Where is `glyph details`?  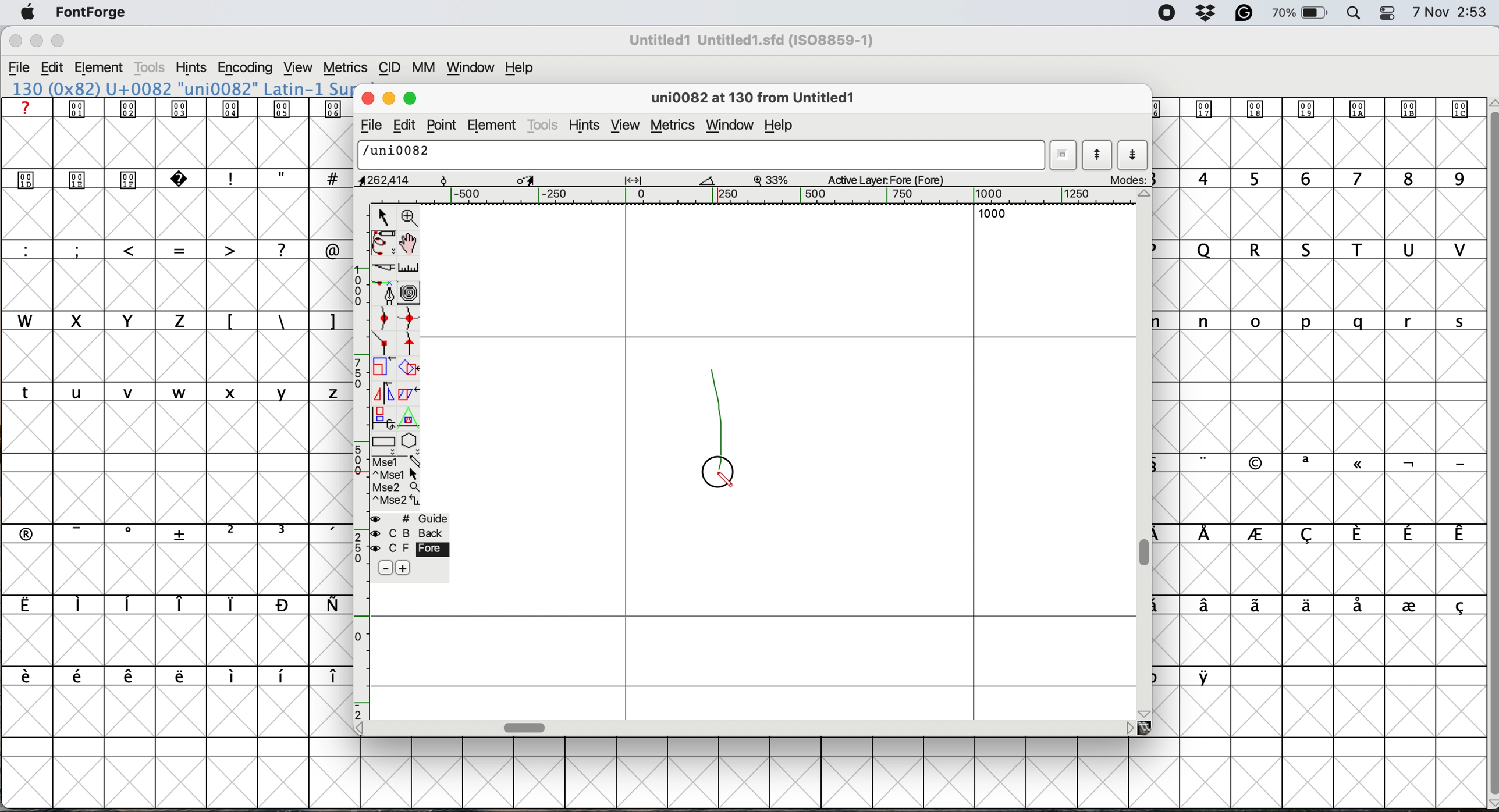 glyph details is located at coordinates (539, 180).